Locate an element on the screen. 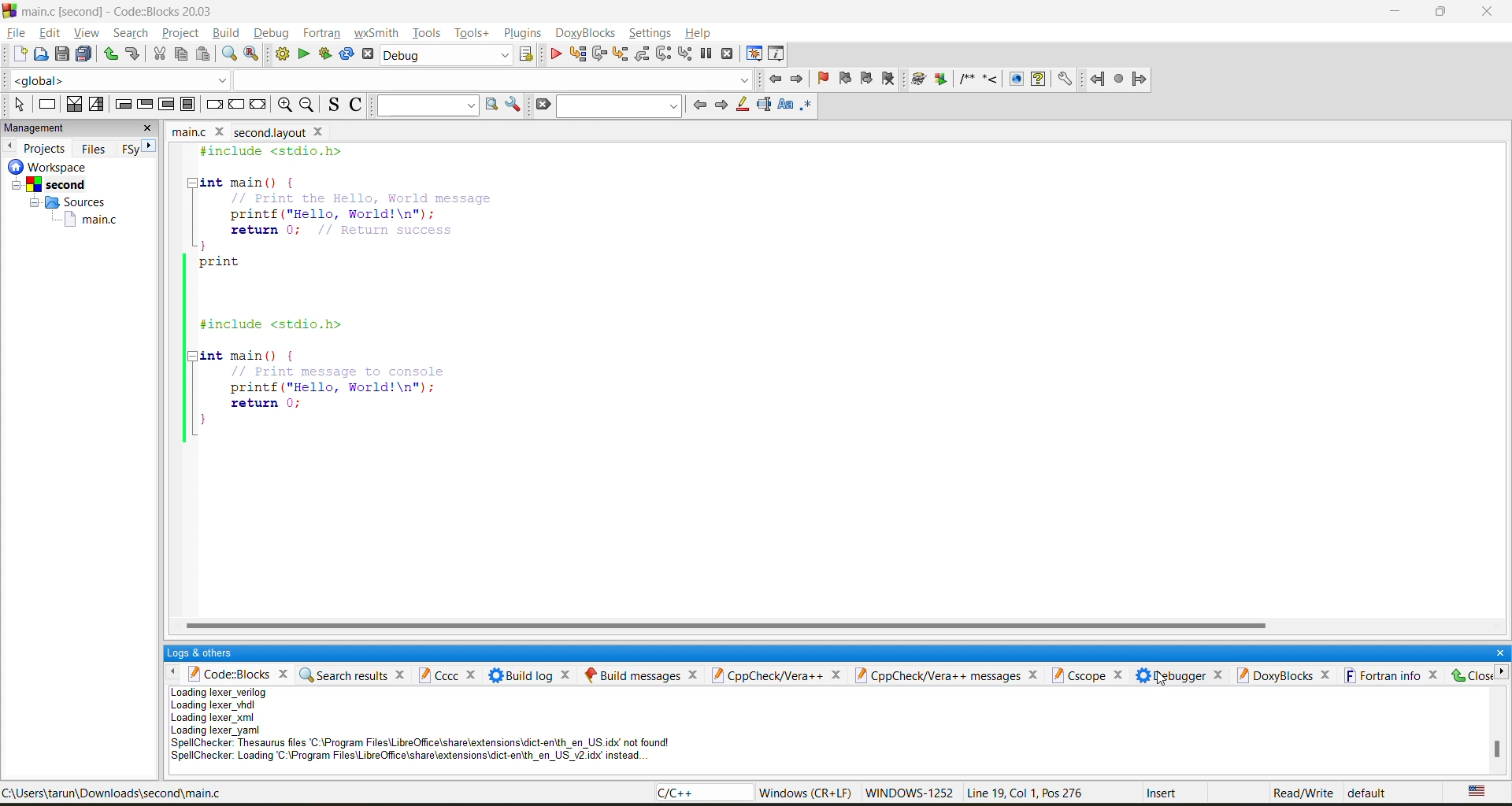  break instruction is located at coordinates (211, 105).